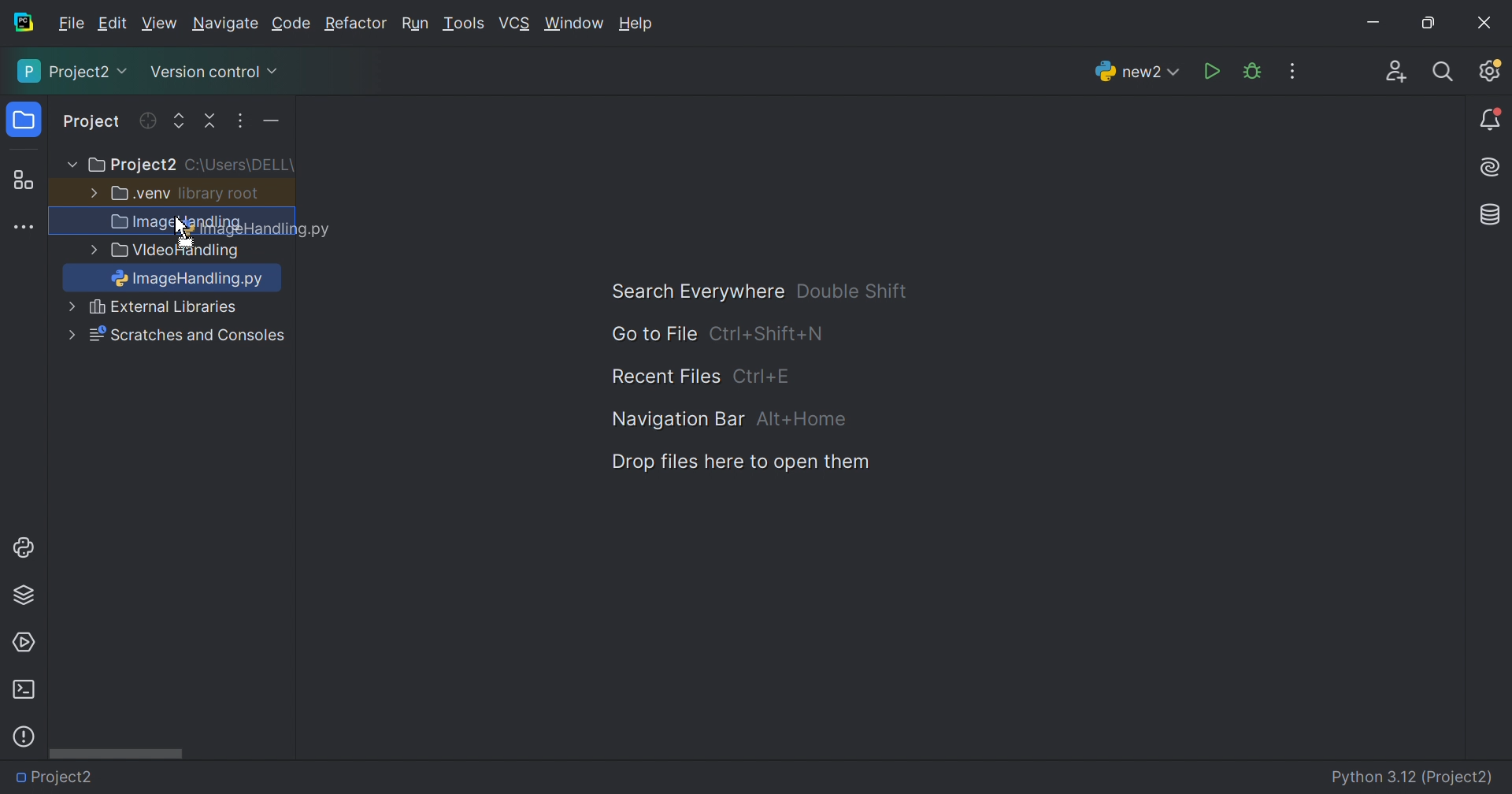 This screenshot has height=794, width=1512. Describe the element at coordinates (415, 25) in the screenshot. I see `Run` at that location.